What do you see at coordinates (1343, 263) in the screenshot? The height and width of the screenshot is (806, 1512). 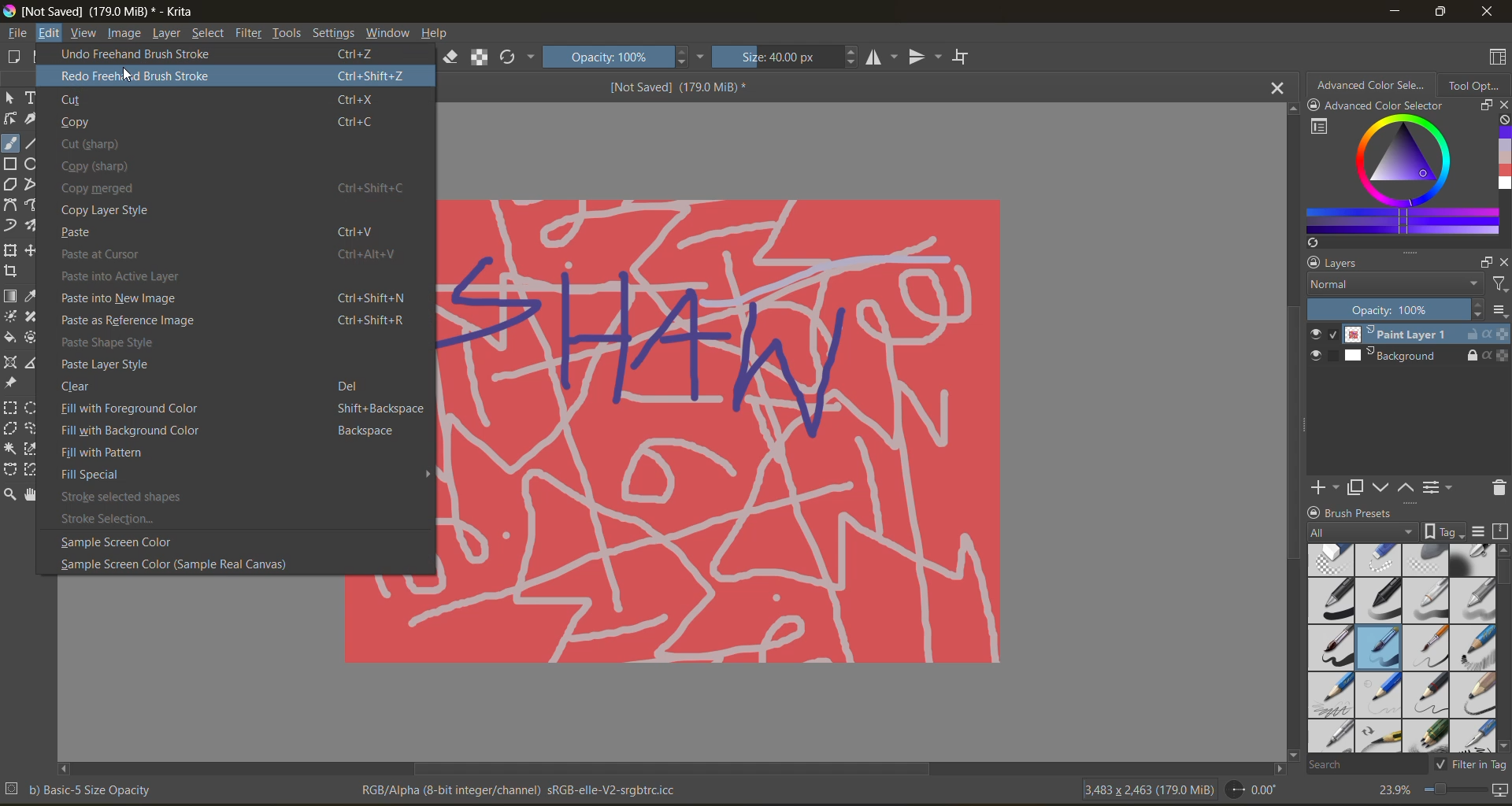 I see `layers` at bounding box center [1343, 263].